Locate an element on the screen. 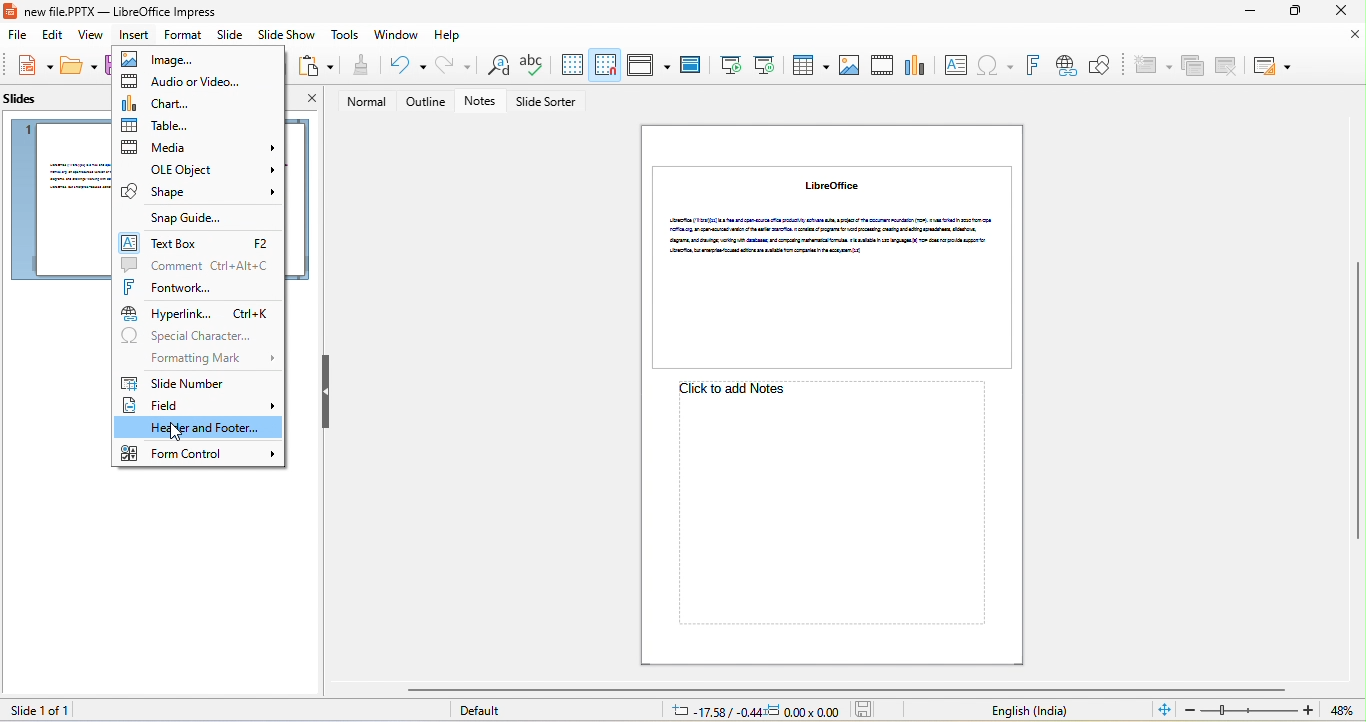 The height and width of the screenshot is (722, 1366). start from current slide is located at coordinates (764, 64).